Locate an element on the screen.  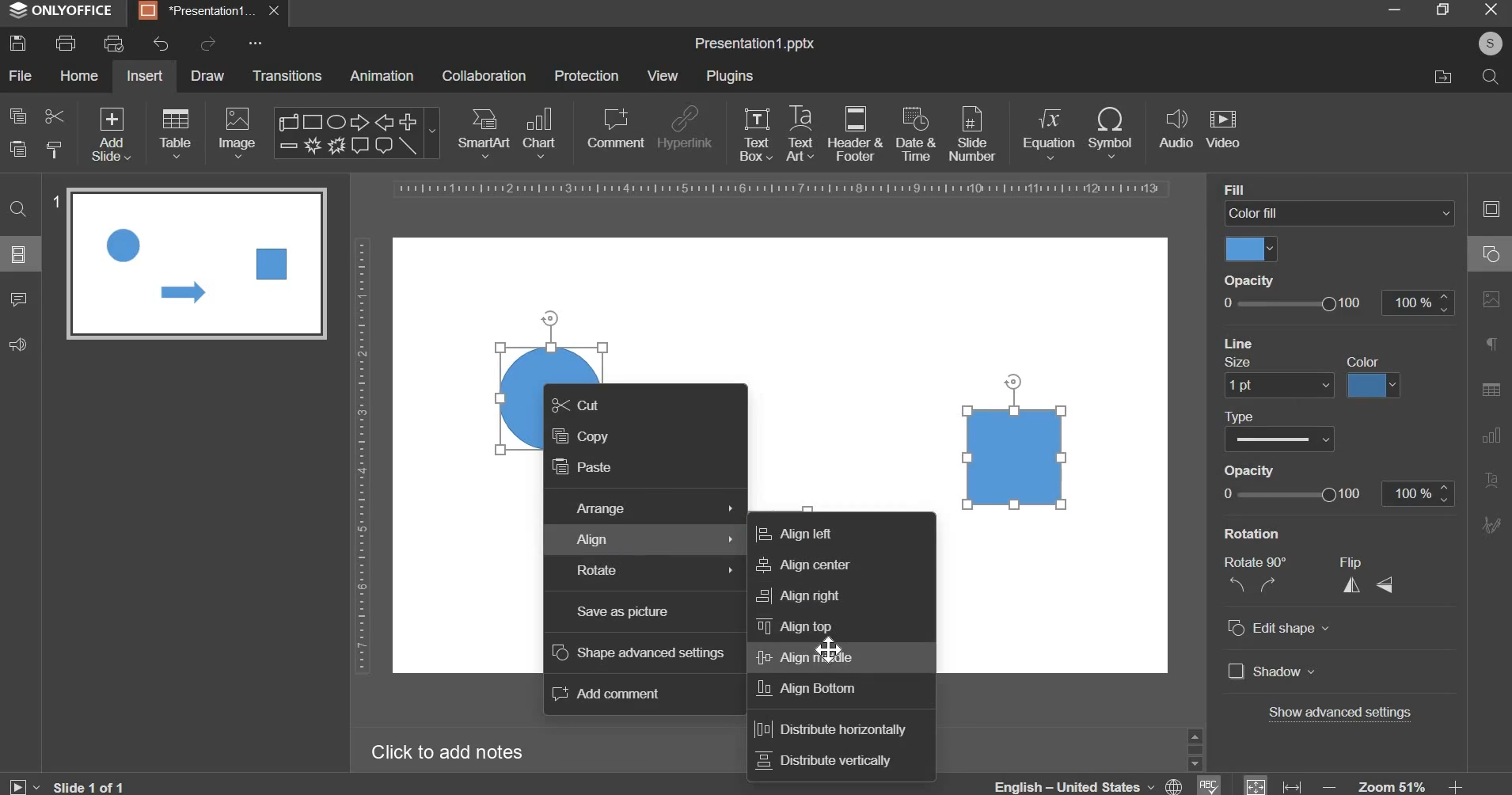
print is located at coordinates (66, 44).